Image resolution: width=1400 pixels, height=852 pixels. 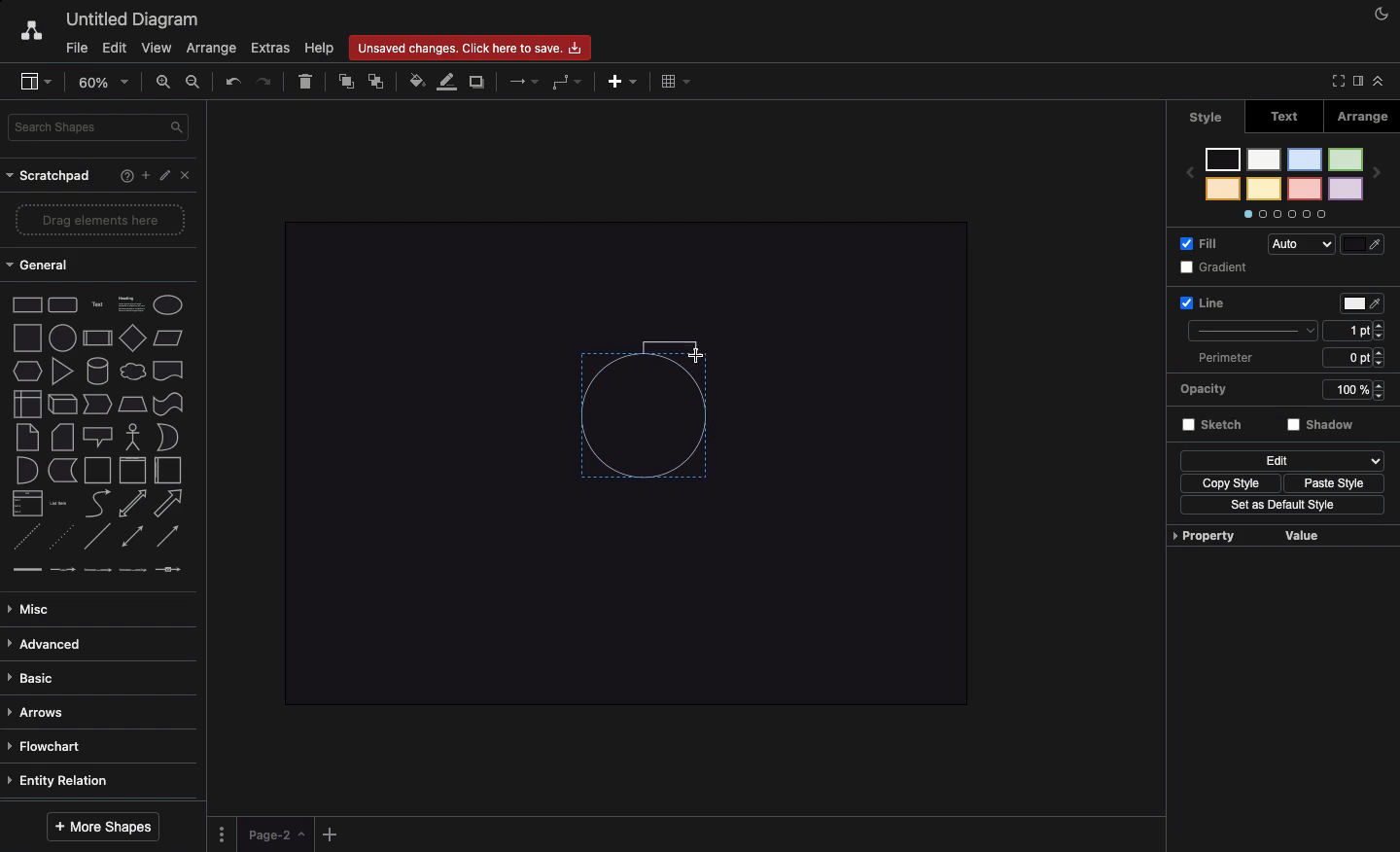 What do you see at coordinates (664, 347) in the screenshot?
I see `Connector drawn` at bounding box center [664, 347].